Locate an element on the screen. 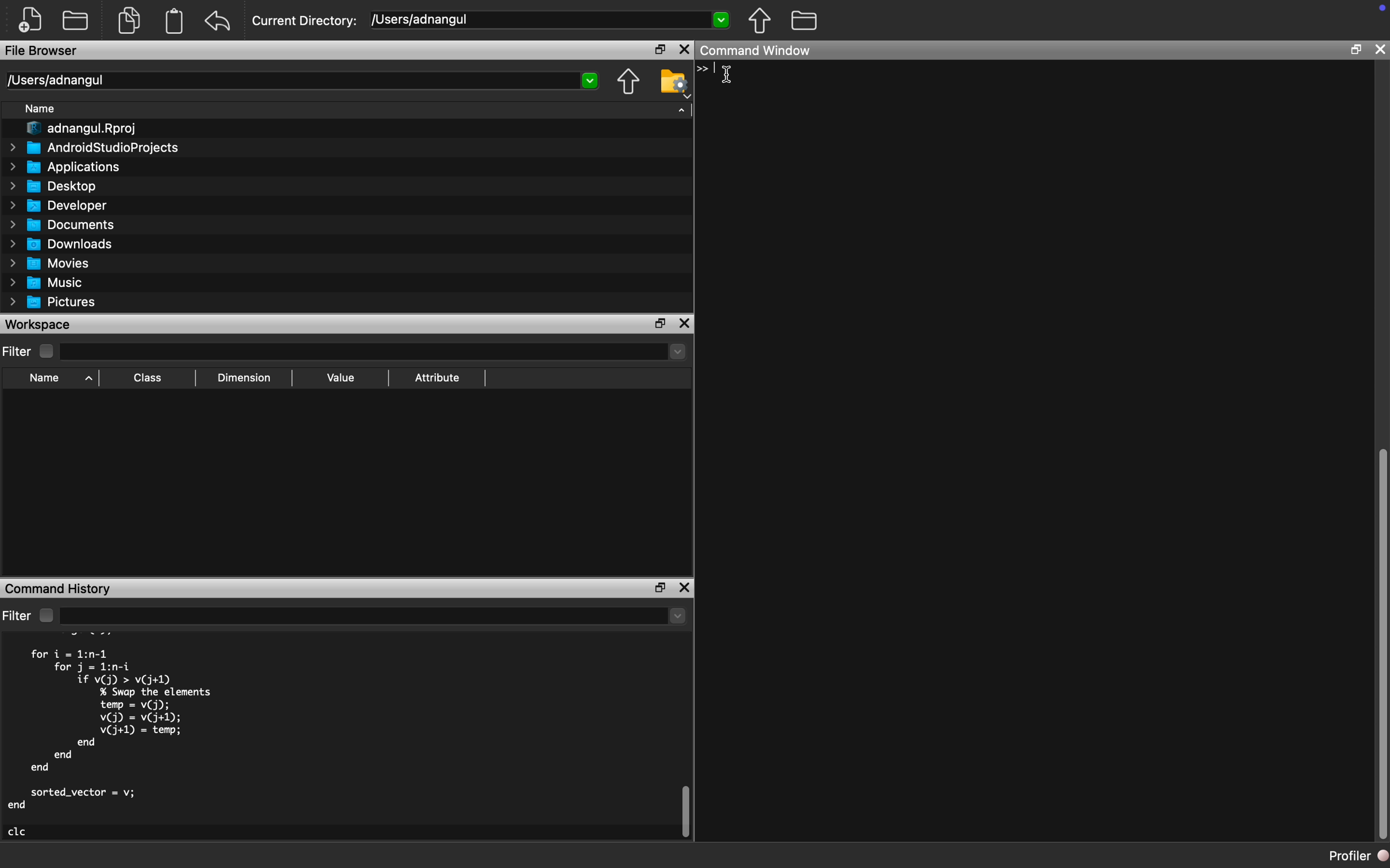 Image resolution: width=1390 pixels, height=868 pixels. Close is located at coordinates (685, 324).